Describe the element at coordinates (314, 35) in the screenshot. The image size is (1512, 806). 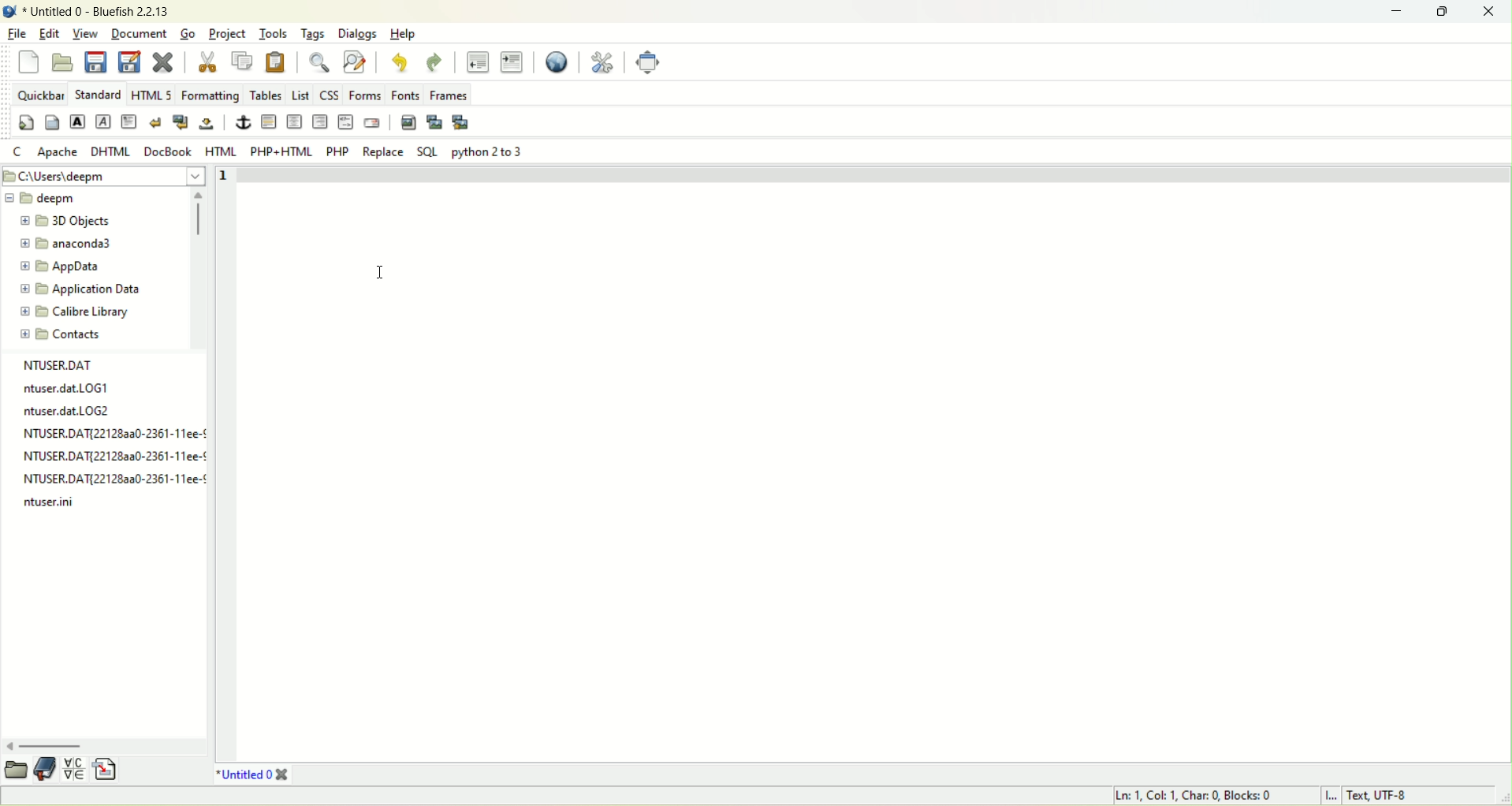
I see `tags` at that location.